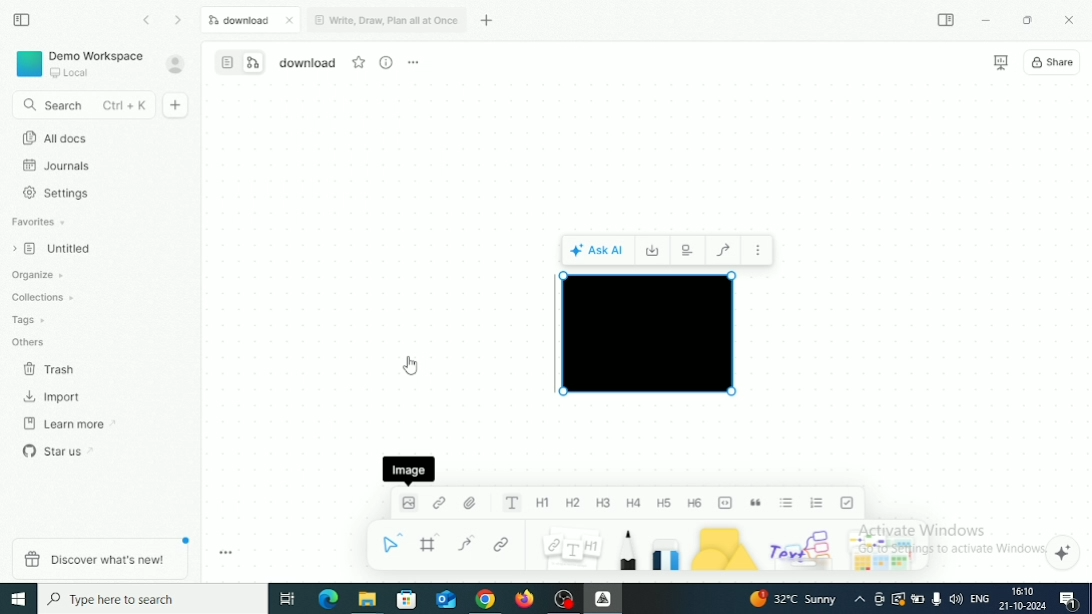 Image resolution: width=1092 pixels, height=614 pixels. Describe the element at coordinates (543, 504) in the screenshot. I see `Heading 1` at that location.